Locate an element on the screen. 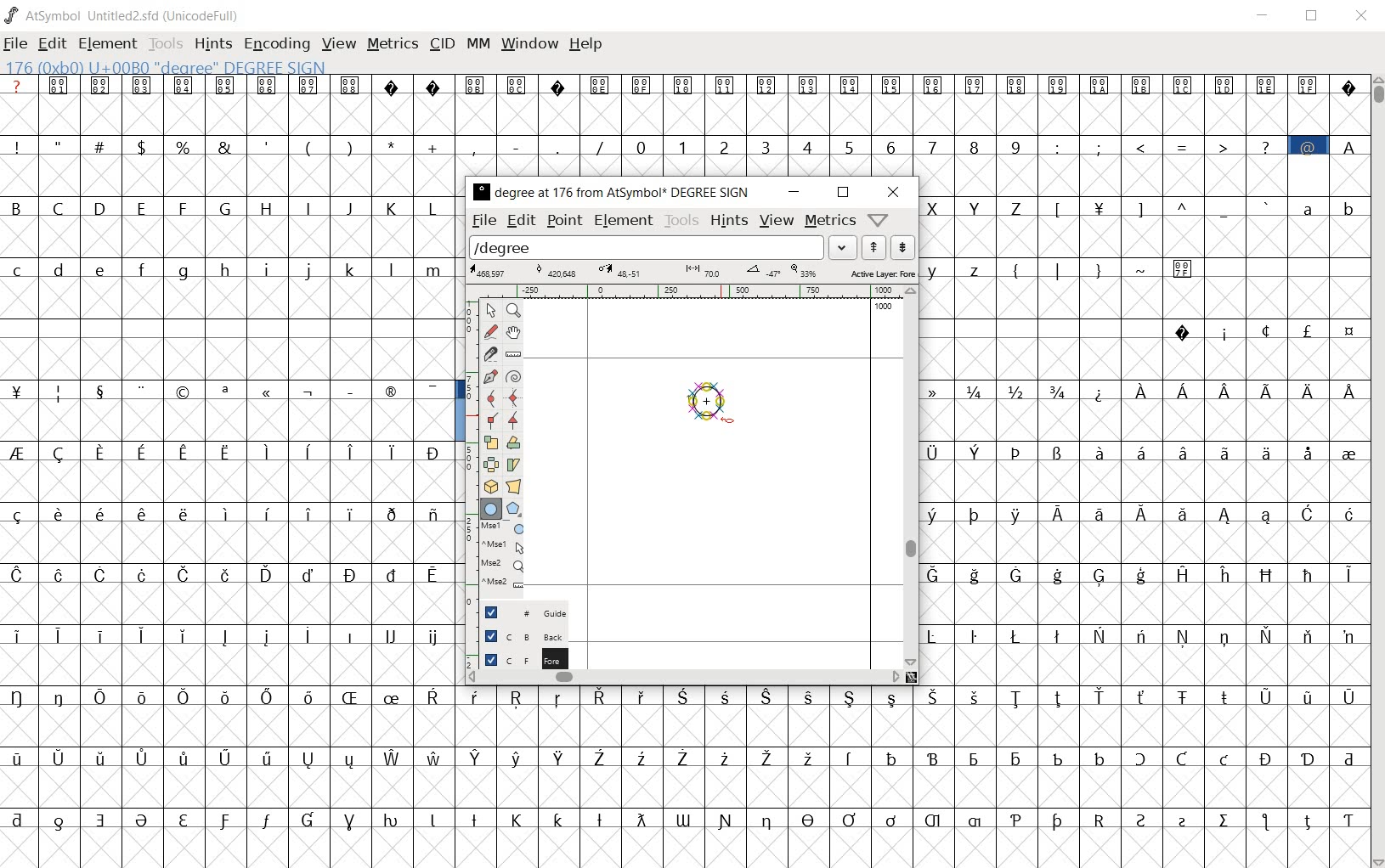 Image resolution: width=1385 pixels, height=868 pixels. minimize is located at coordinates (792, 192).